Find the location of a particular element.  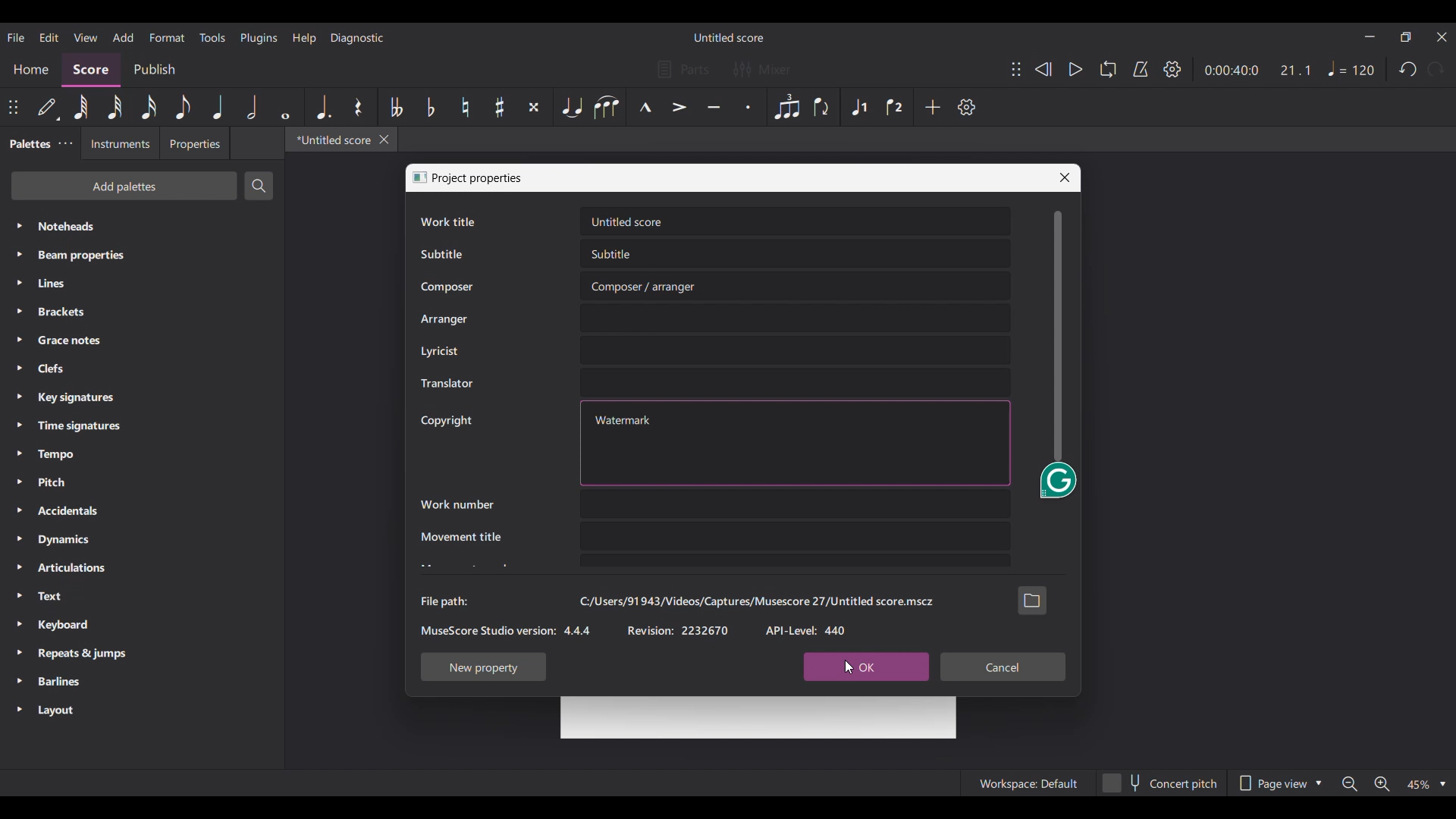

Augmentation dot is located at coordinates (323, 107).